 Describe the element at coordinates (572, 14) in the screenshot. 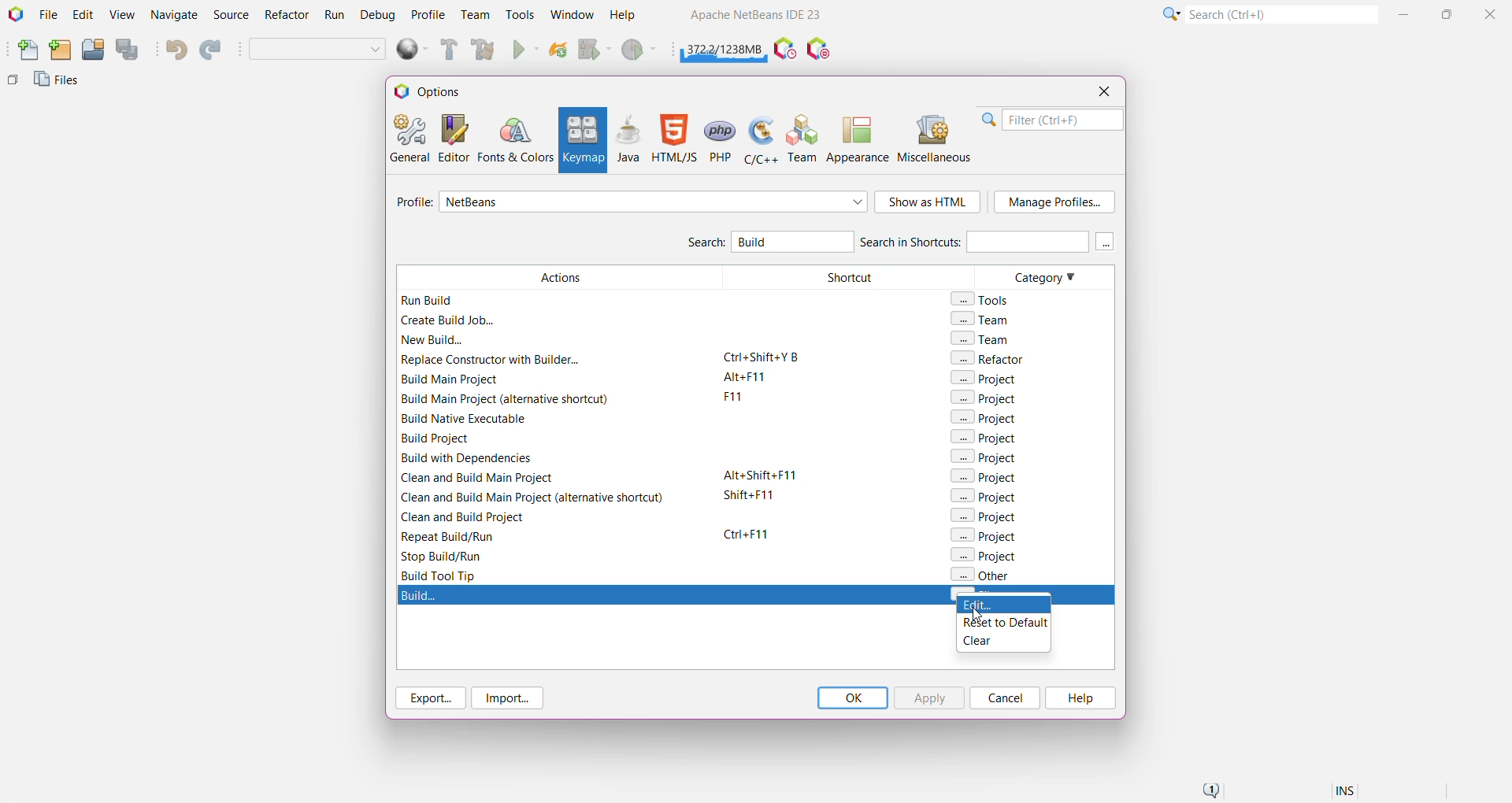

I see `Window` at that location.